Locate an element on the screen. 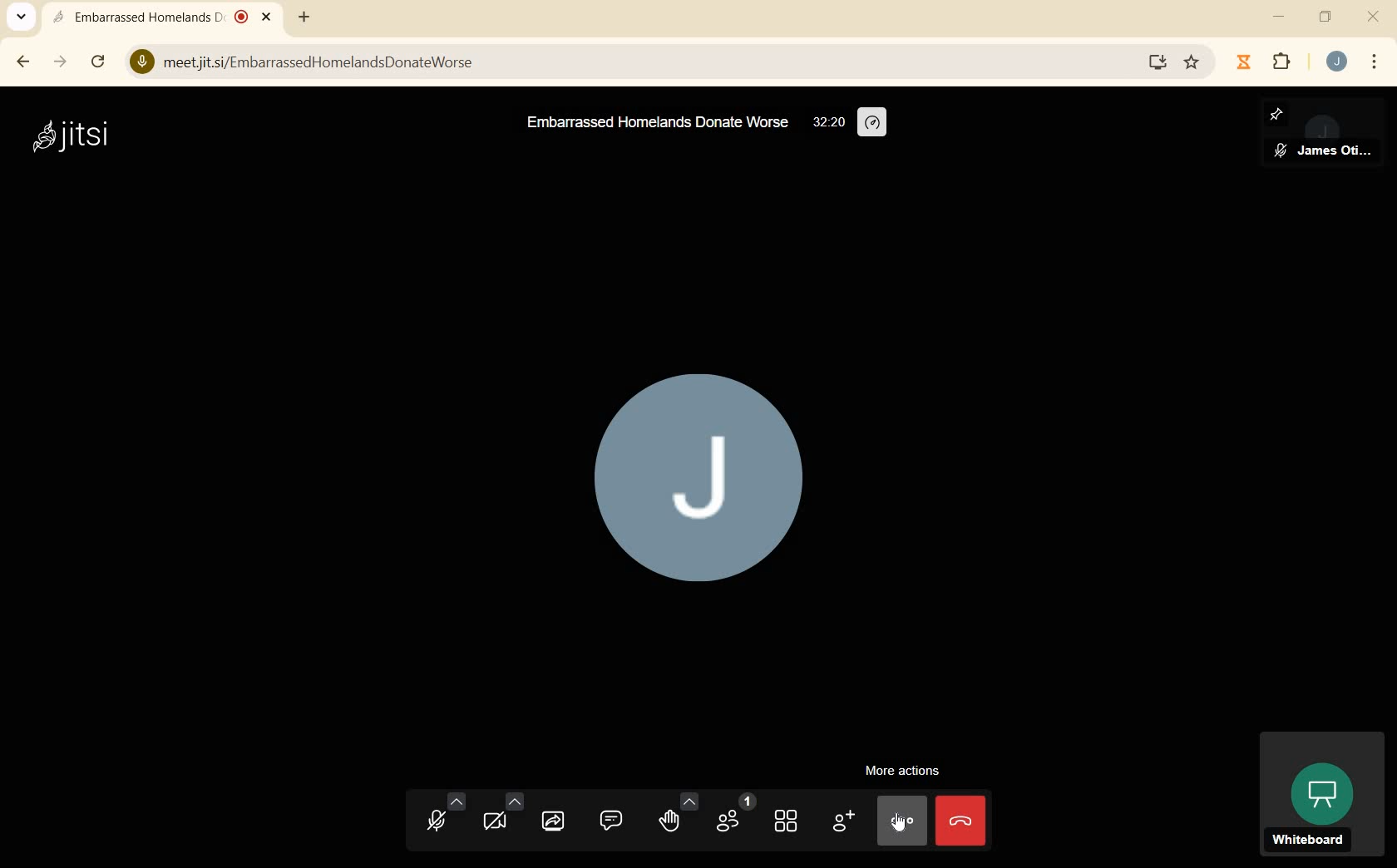  performance settings is located at coordinates (873, 124).